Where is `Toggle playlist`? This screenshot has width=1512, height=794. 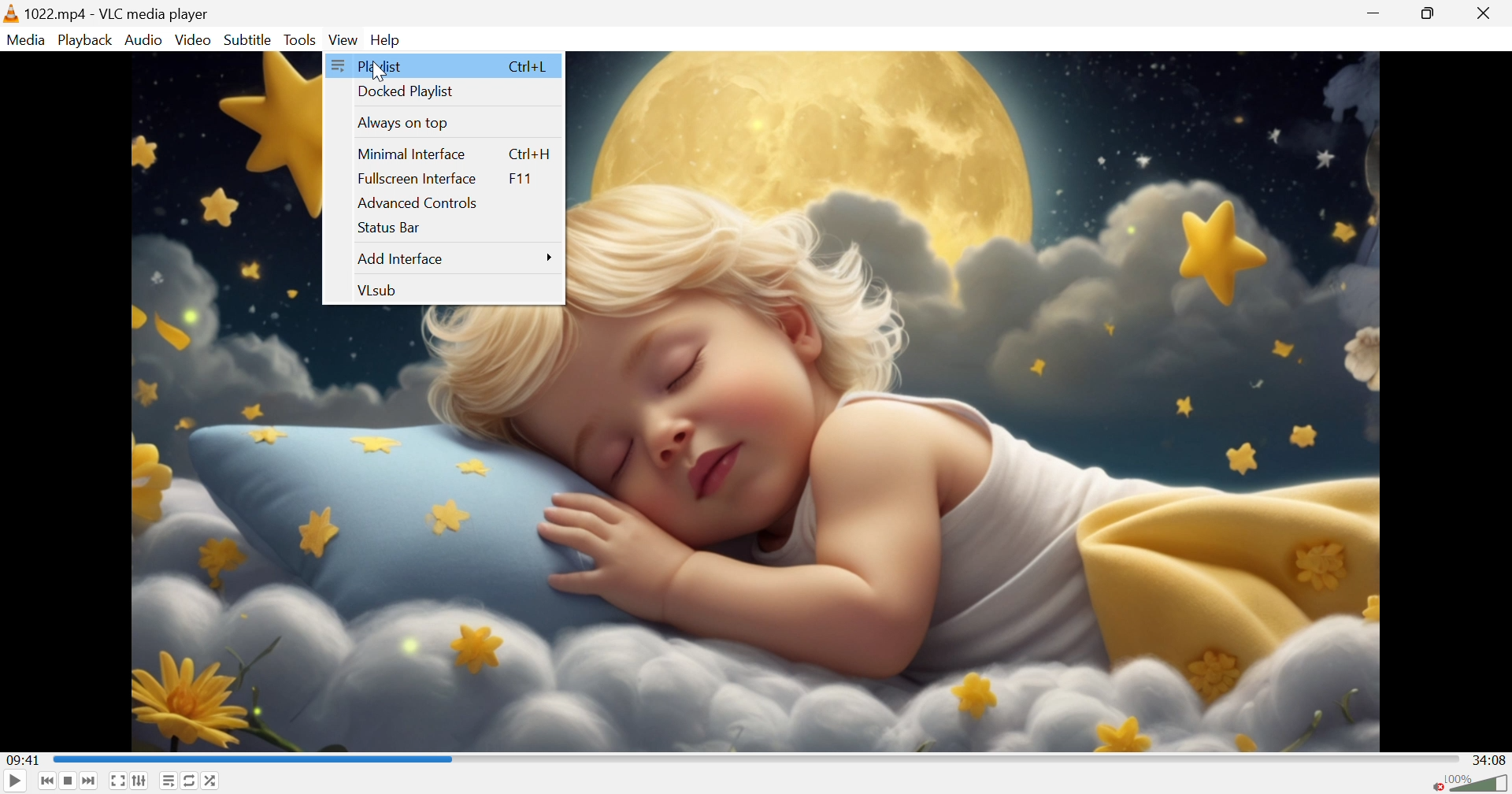
Toggle playlist is located at coordinates (171, 780).